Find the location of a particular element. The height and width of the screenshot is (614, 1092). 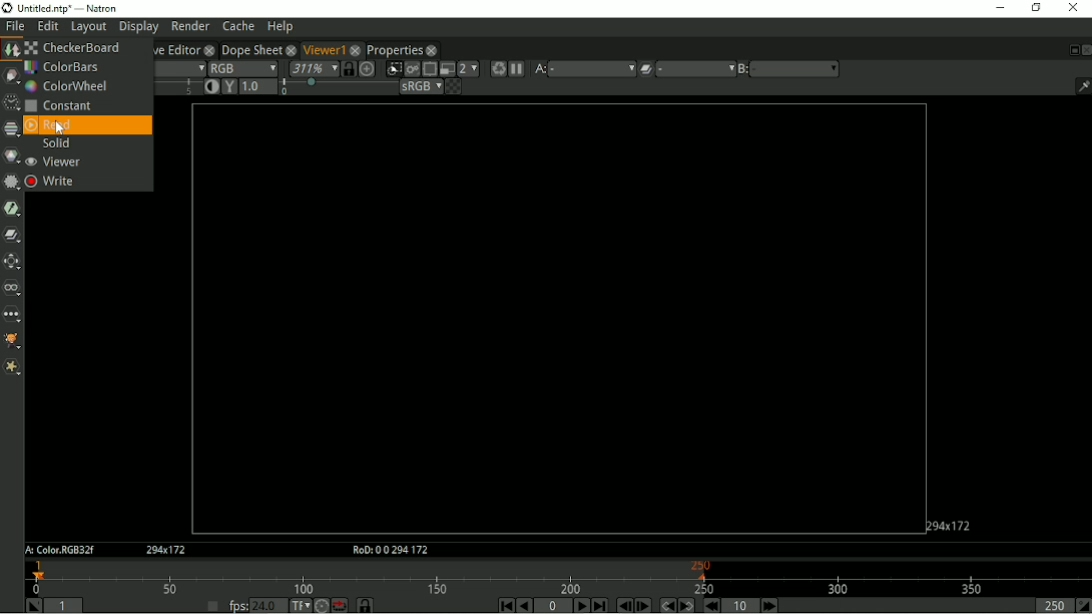

Merge is located at coordinates (13, 234).